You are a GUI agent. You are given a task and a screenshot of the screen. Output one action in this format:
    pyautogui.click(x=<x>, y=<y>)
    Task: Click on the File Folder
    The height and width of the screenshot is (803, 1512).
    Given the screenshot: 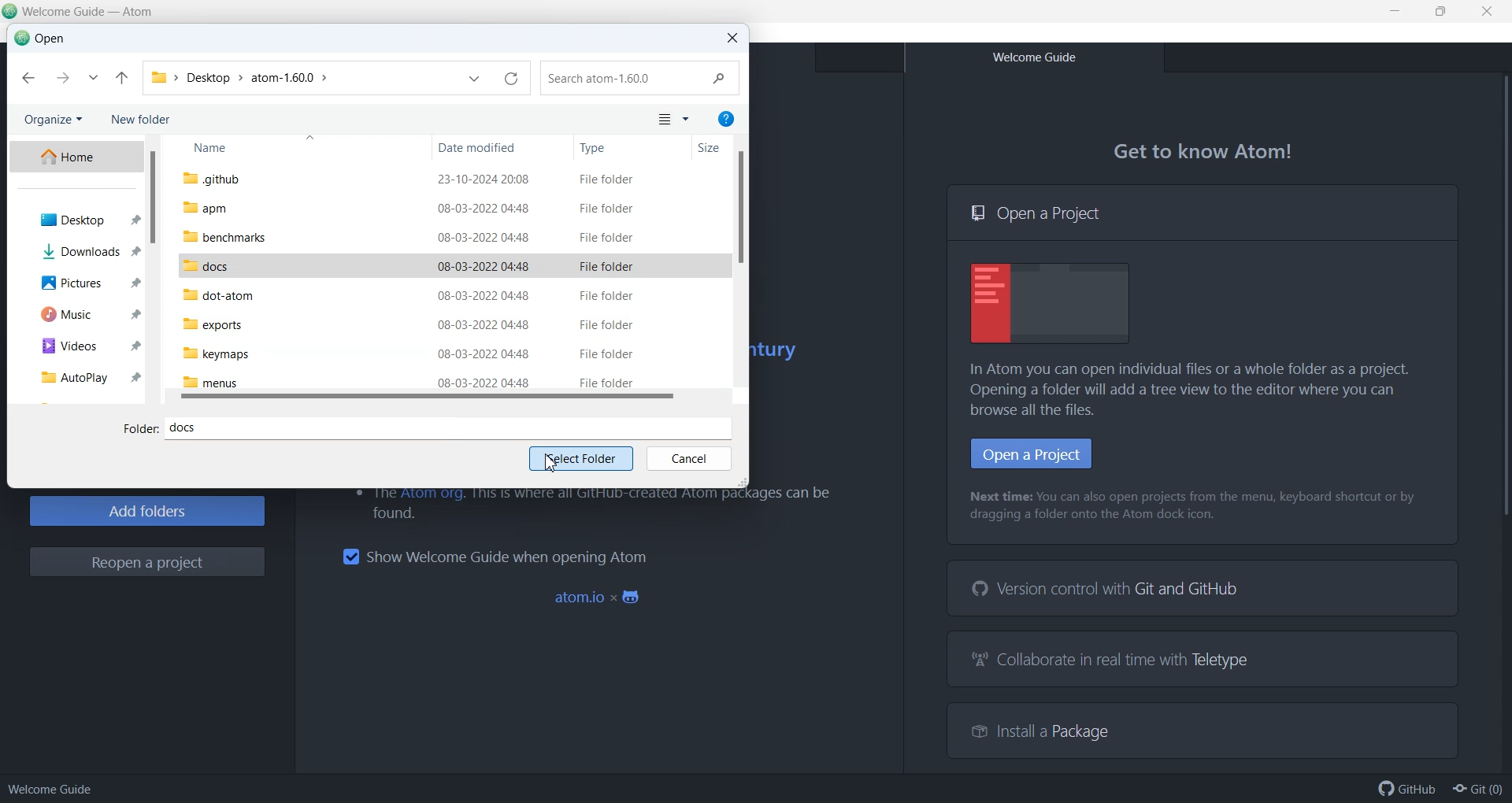 What is the action you would take?
    pyautogui.click(x=606, y=325)
    